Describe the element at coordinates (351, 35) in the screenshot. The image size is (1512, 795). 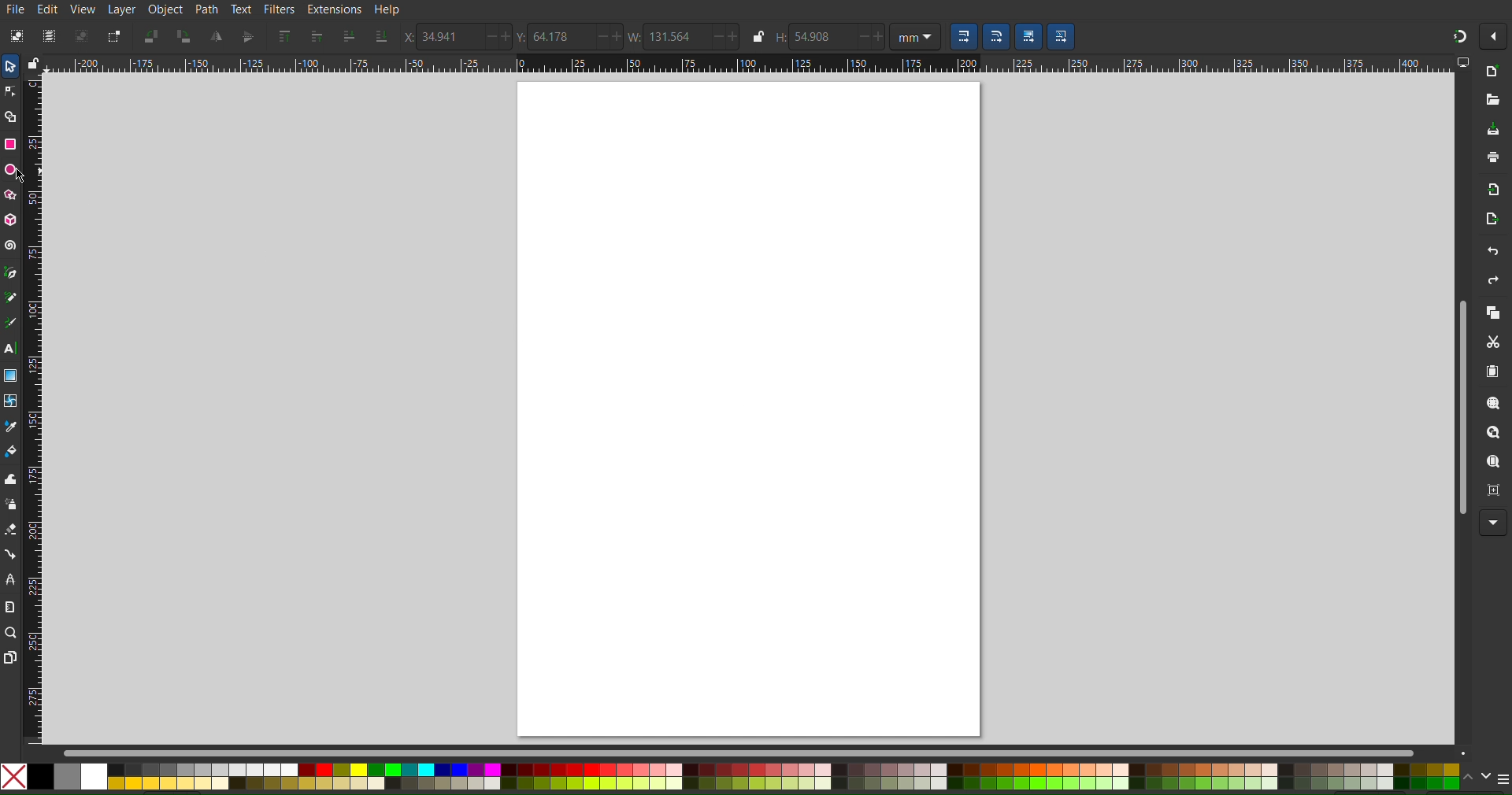
I see `Send one layer down` at that location.